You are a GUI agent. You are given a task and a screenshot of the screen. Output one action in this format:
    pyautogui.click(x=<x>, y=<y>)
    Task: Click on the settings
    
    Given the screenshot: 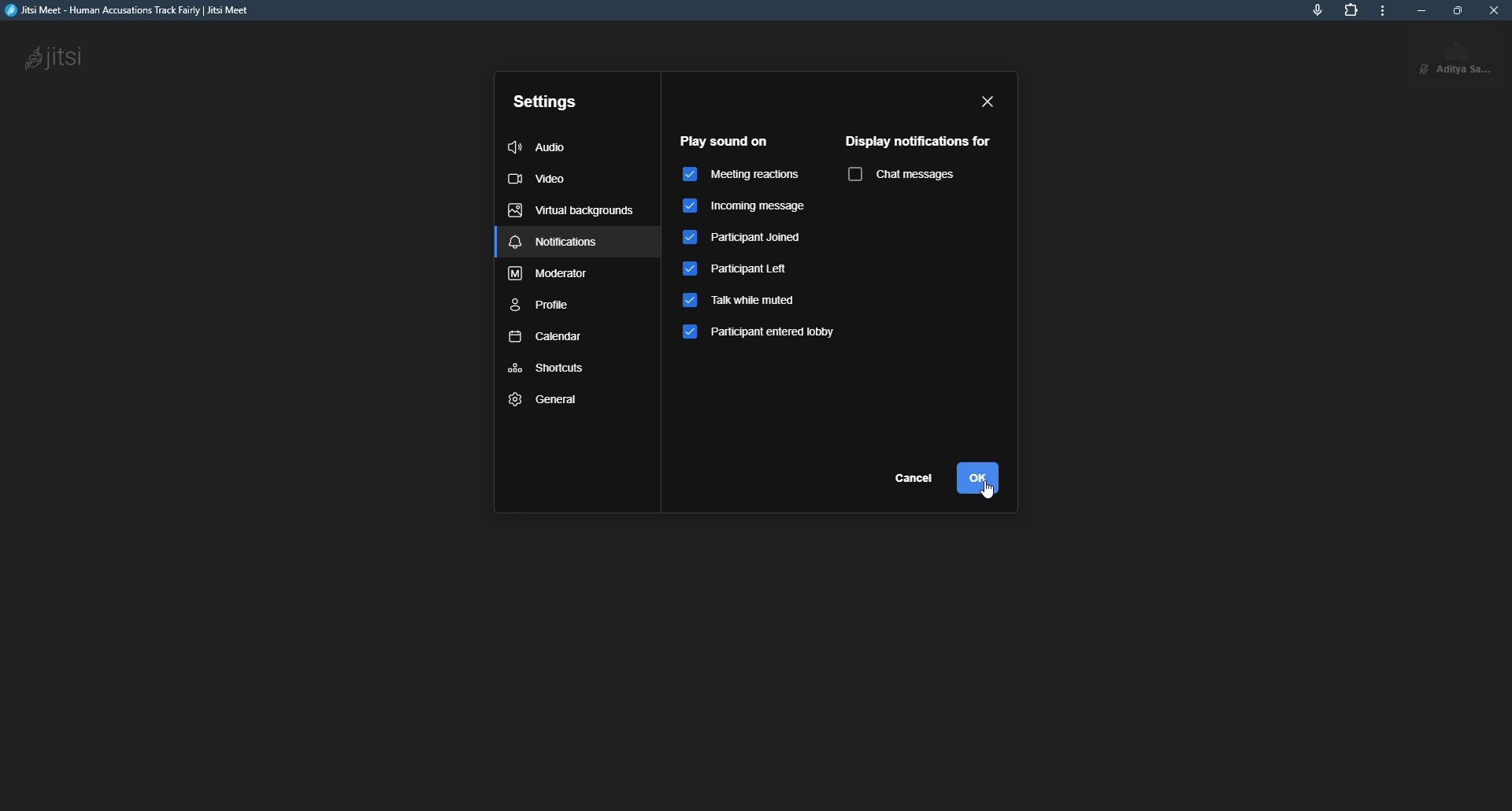 What is the action you would take?
    pyautogui.click(x=543, y=104)
    